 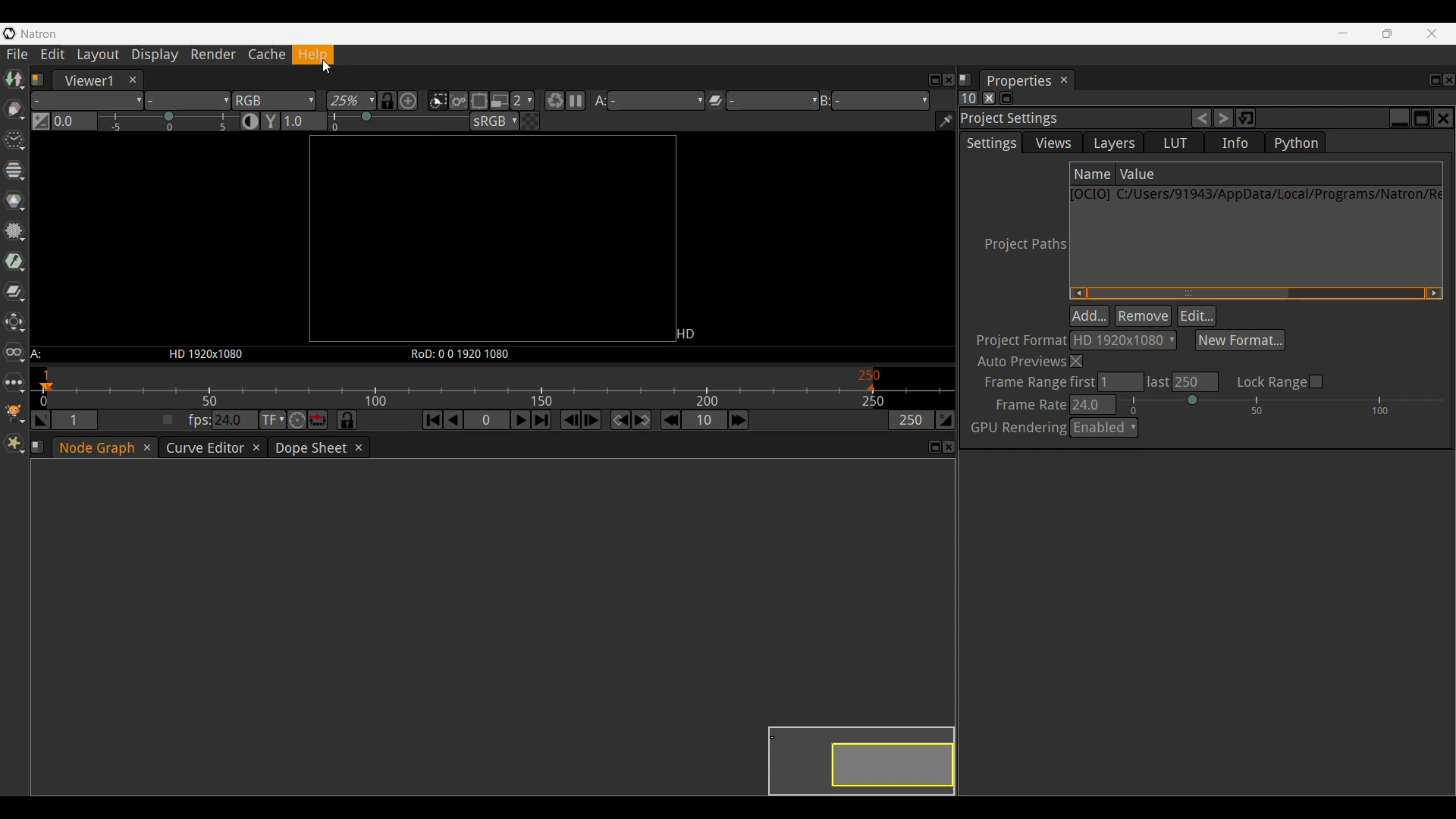 I want to click on Minimize project settings panel, so click(x=1399, y=118).